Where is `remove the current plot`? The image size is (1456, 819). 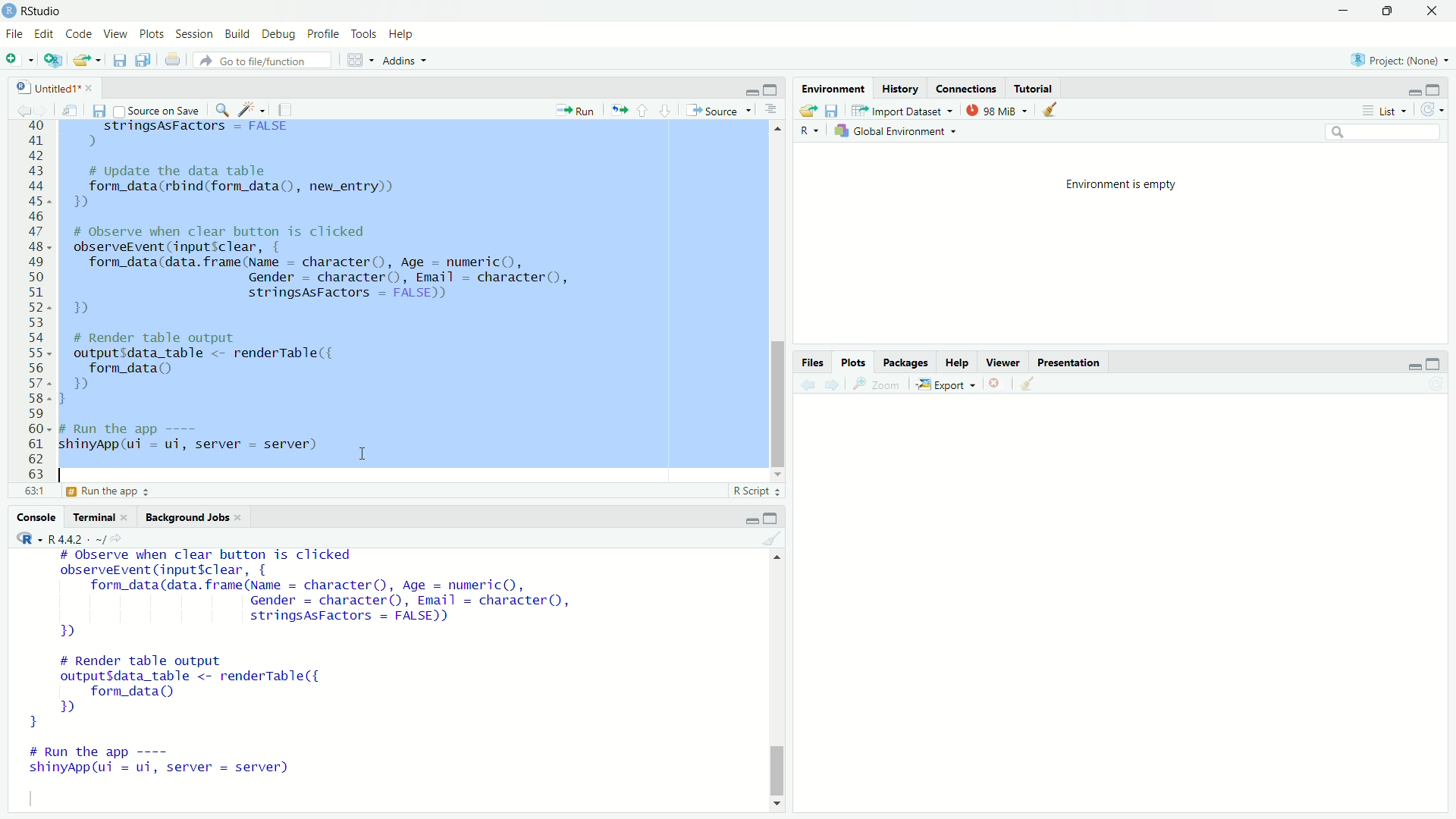 remove the current plot is located at coordinates (995, 386).